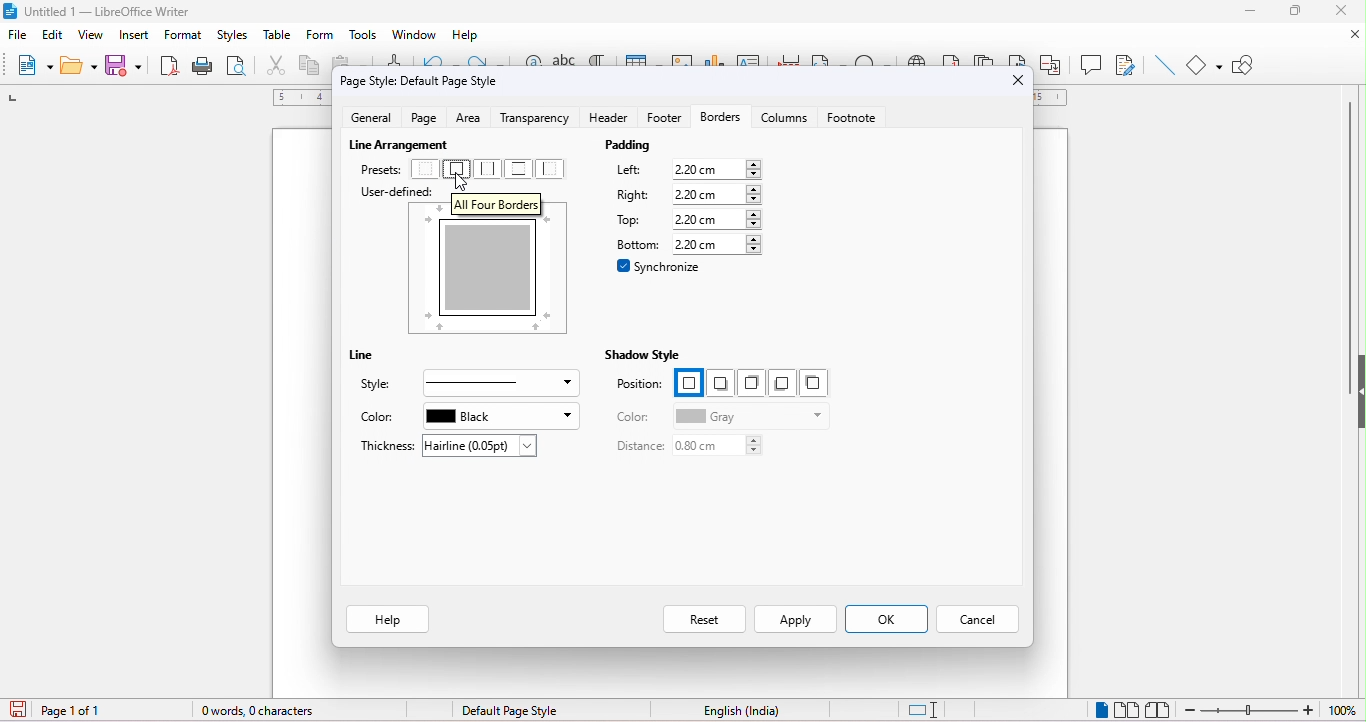 The width and height of the screenshot is (1366, 722). Describe the element at coordinates (1122, 64) in the screenshot. I see `show track` at that location.